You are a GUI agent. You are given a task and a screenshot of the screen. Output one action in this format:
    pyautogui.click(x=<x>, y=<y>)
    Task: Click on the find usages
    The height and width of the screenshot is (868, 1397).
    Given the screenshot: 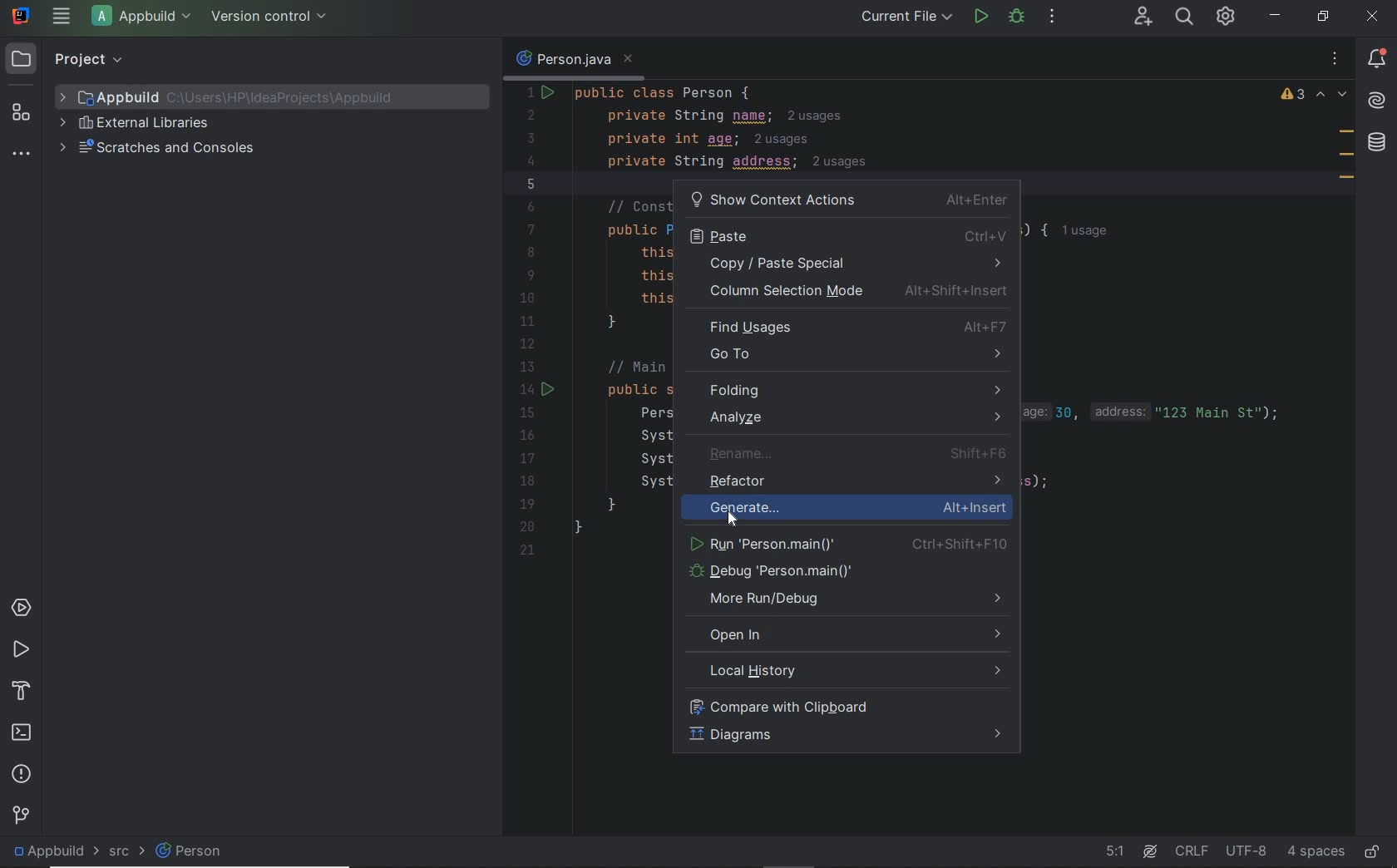 What is the action you would take?
    pyautogui.click(x=852, y=328)
    